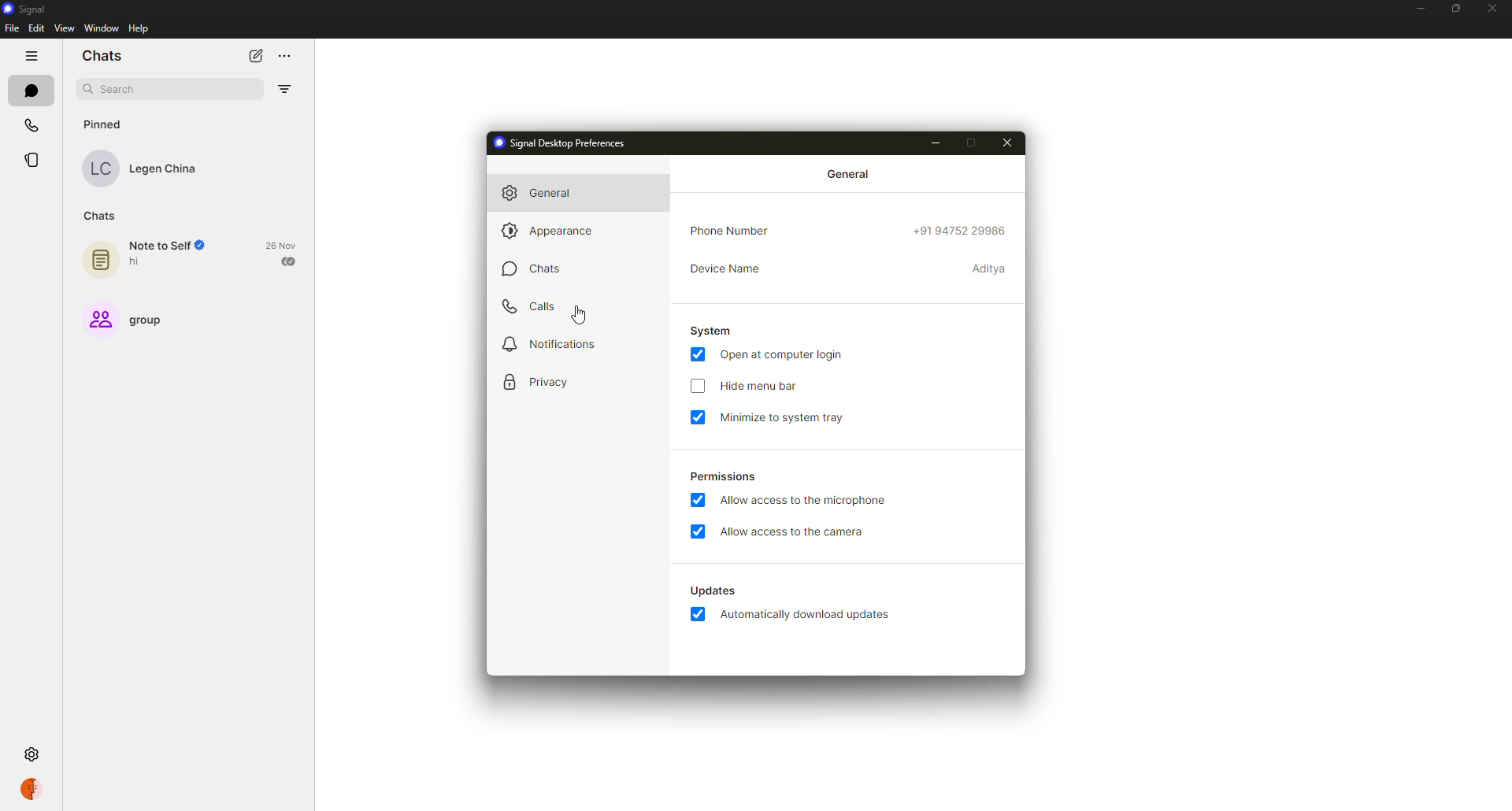  What do you see at coordinates (933, 143) in the screenshot?
I see `minimize` at bounding box center [933, 143].